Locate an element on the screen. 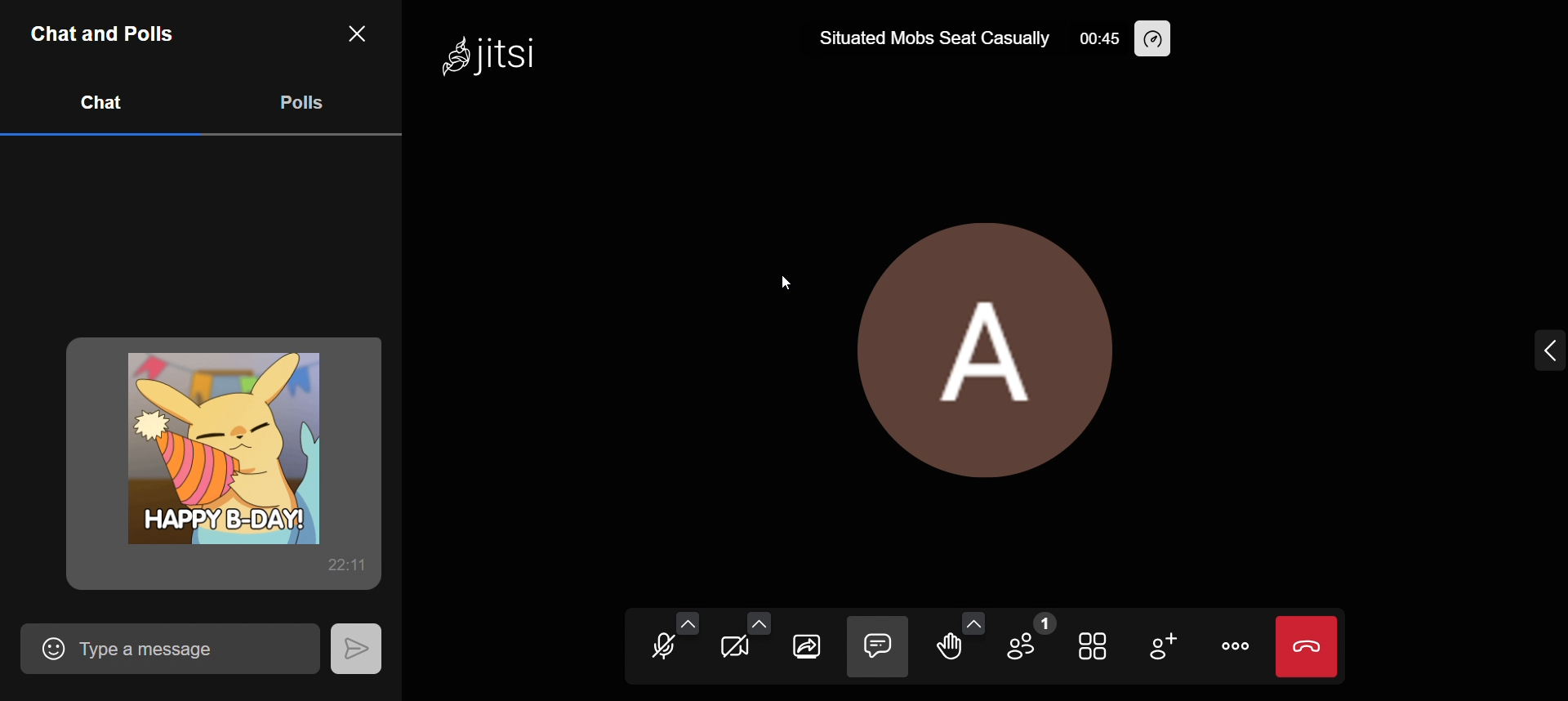 The width and height of the screenshot is (1568, 701). close chat is located at coordinates (877, 646).